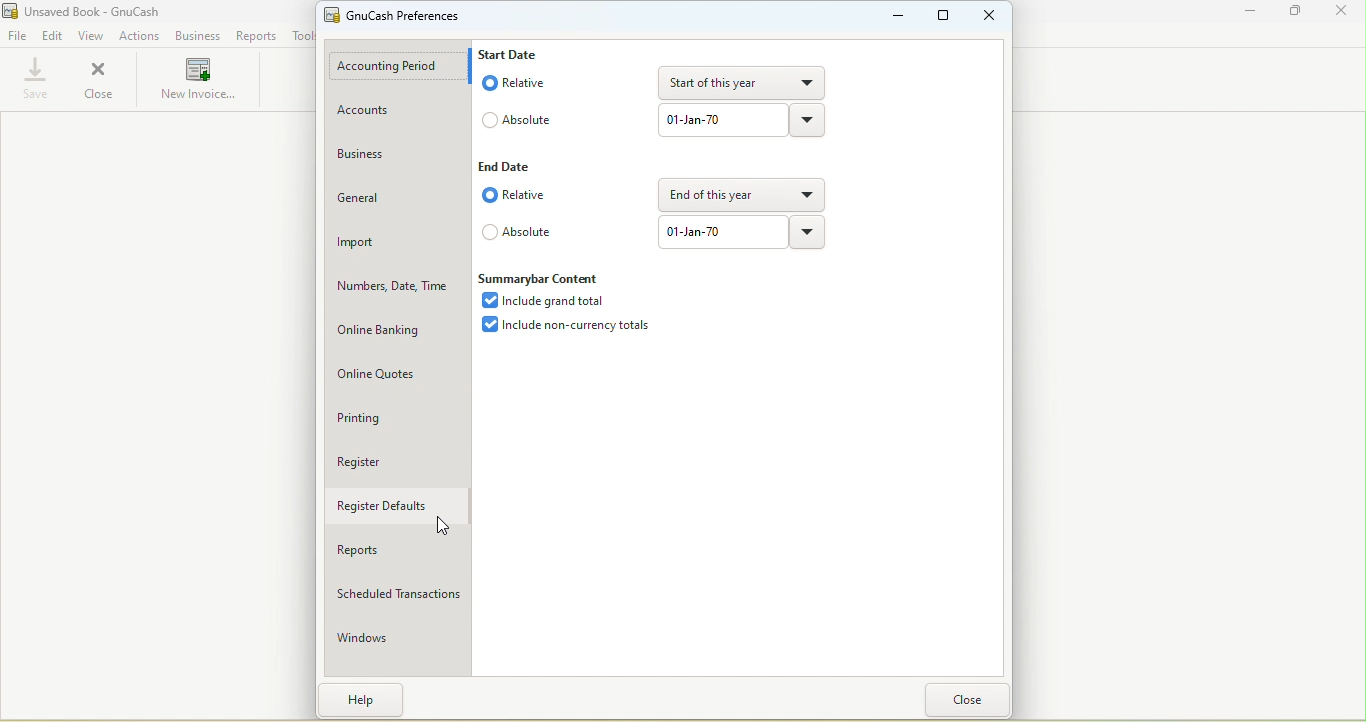  What do you see at coordinates (399, 638) in the screenshot?
I see `Windows` at bounding box center [399, 638].